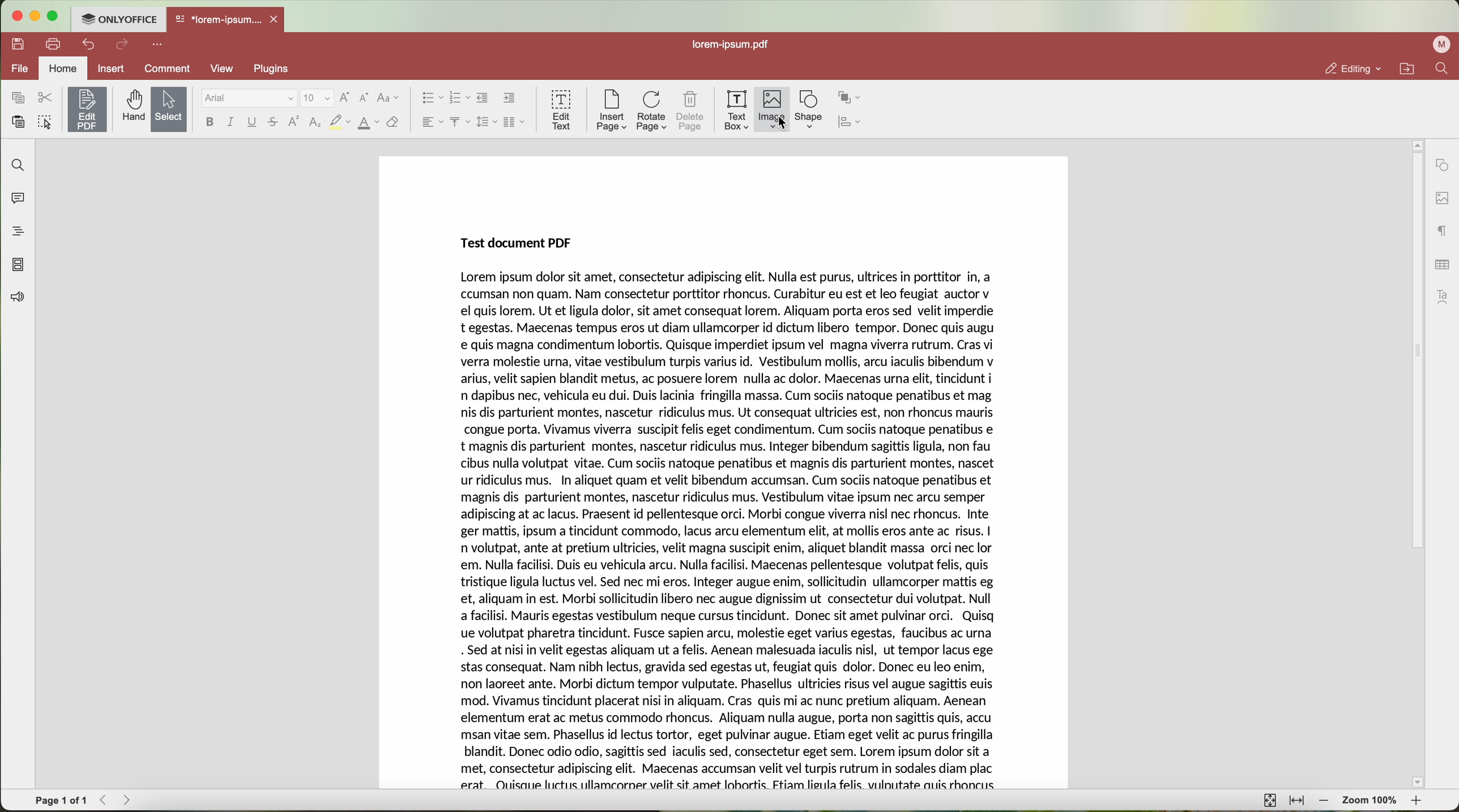 The height and width of the screenshot is (812, 1459). I want to click on find, so click(1441, 68).